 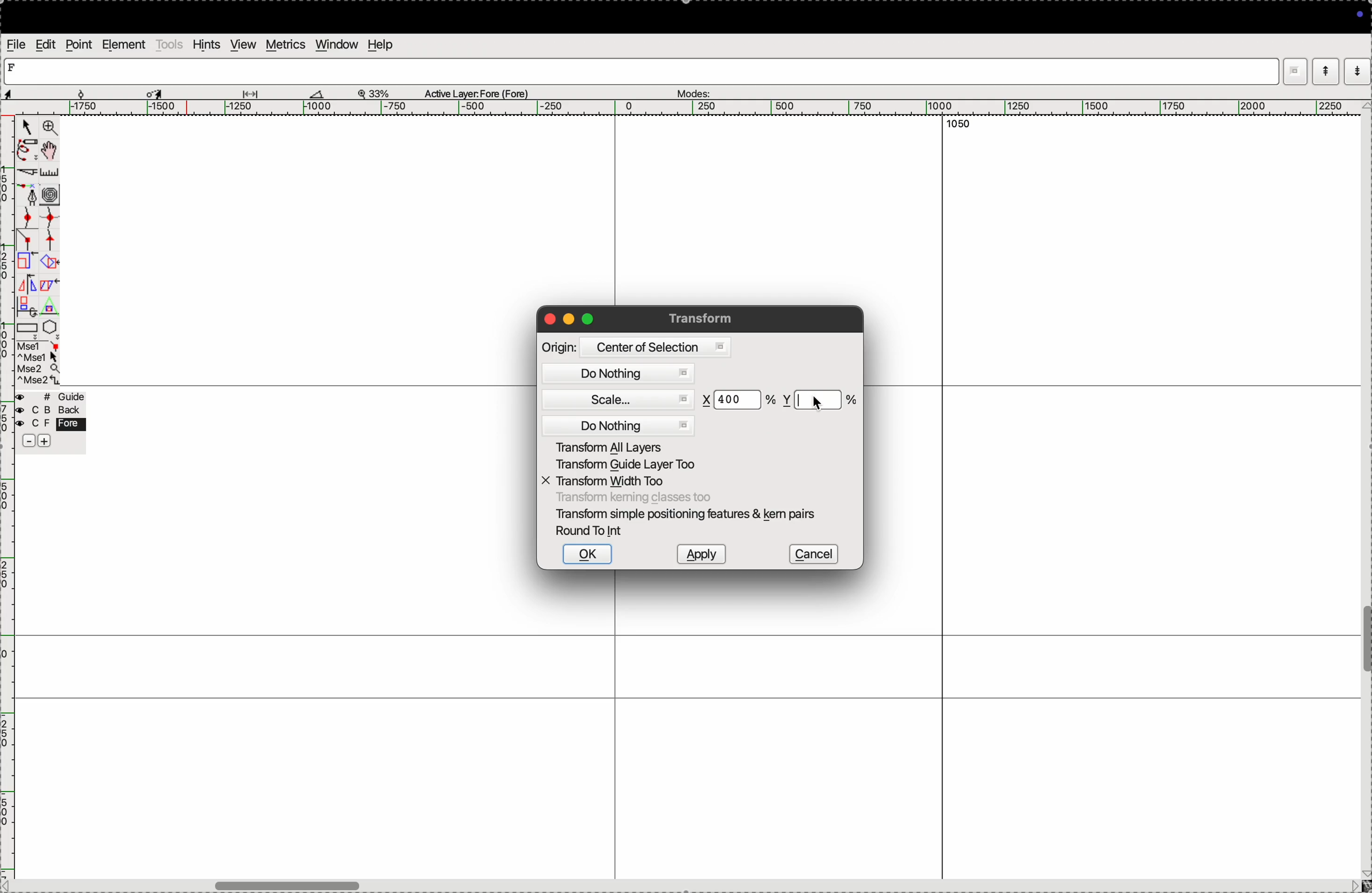 What do you see at coordinates (242, 44) in the screenshot?
I see `view` at bounding box center [242, 44].